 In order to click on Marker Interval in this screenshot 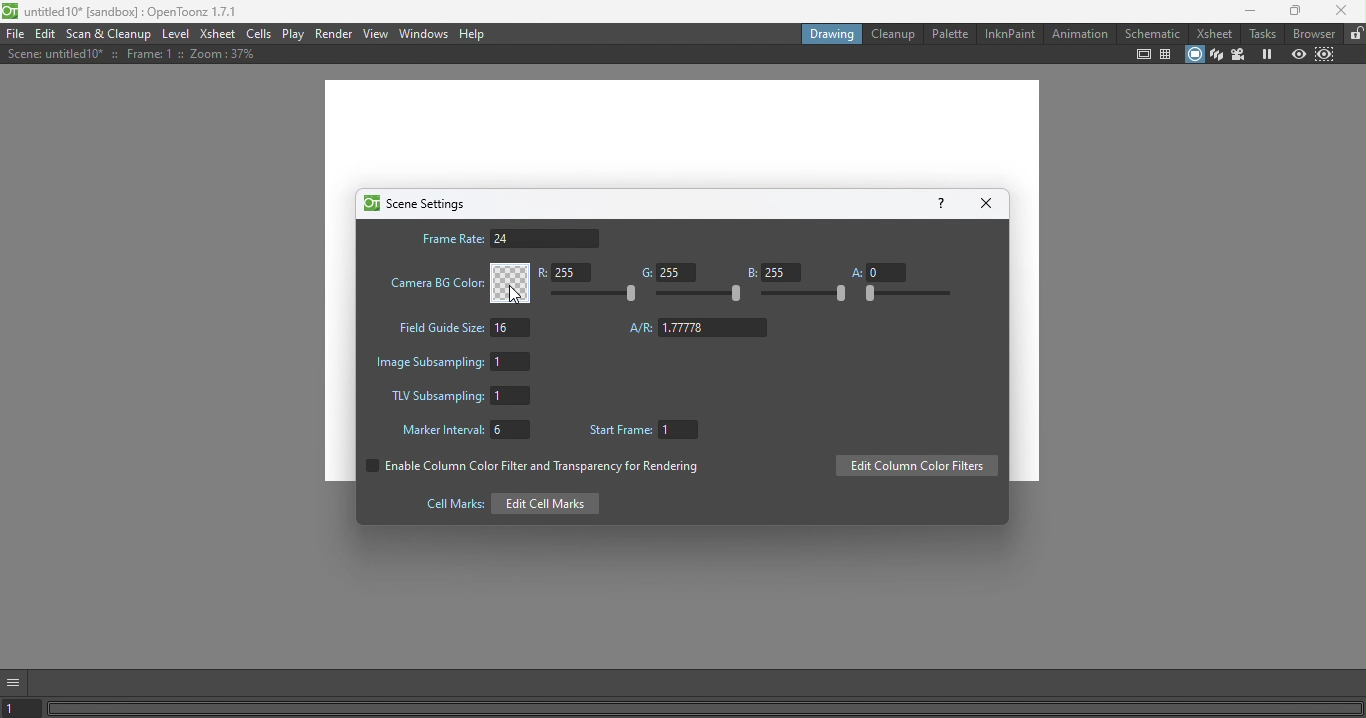, I will do `click(460, 432)`.